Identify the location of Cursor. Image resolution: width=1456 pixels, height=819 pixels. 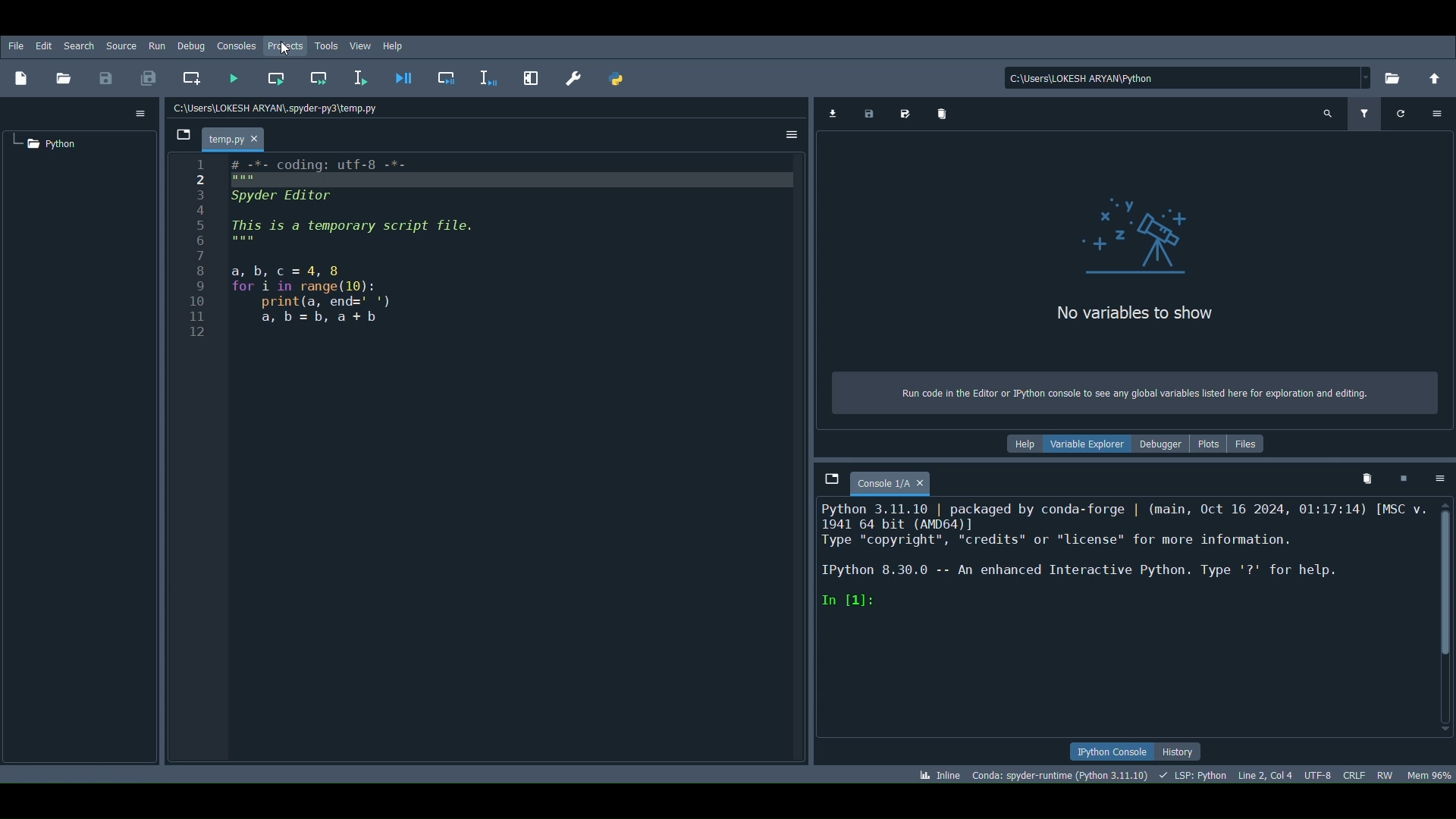
(281, 51).